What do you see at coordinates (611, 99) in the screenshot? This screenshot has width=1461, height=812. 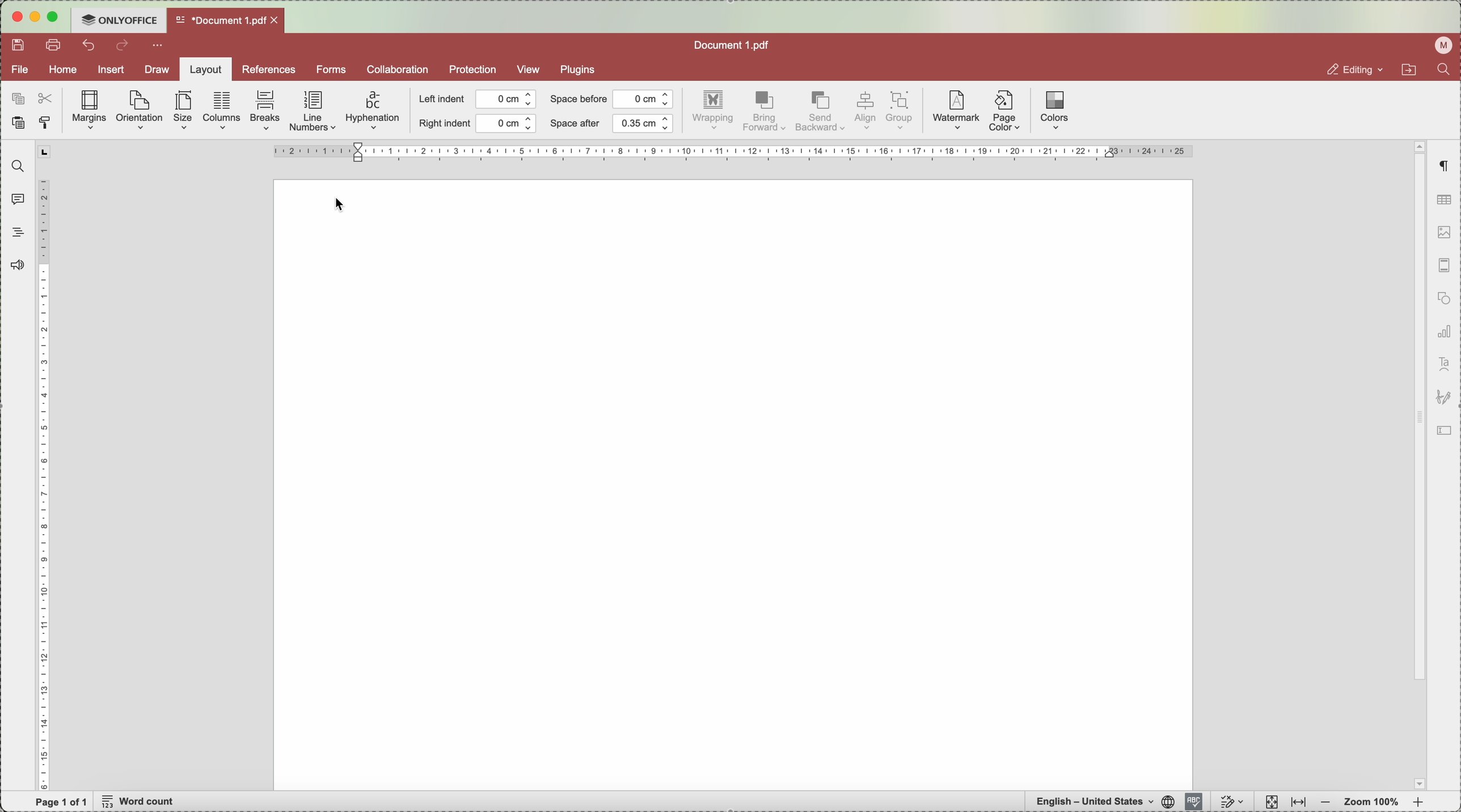 I see `space before` at bounding box center [611, 99].